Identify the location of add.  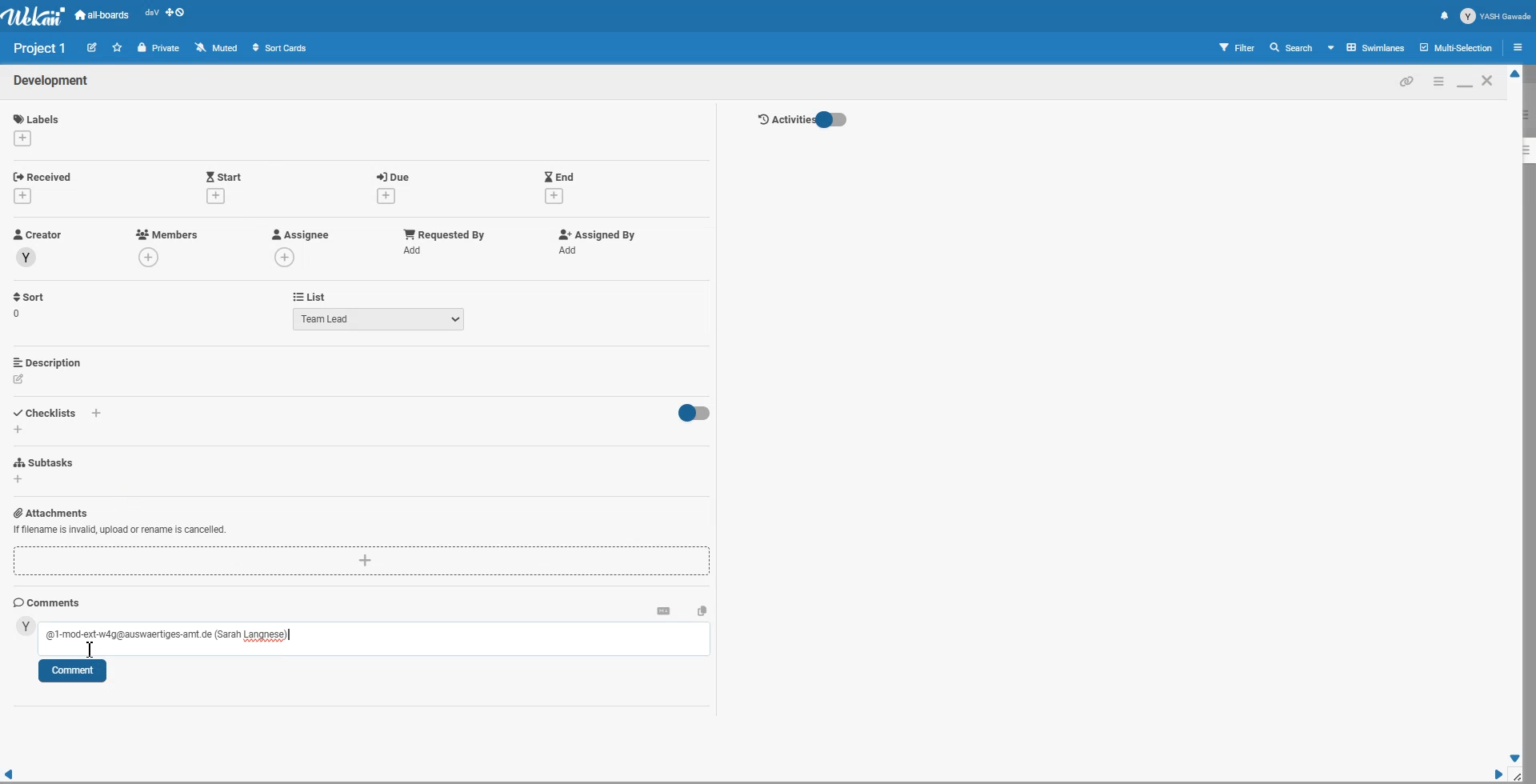
(554, 197).